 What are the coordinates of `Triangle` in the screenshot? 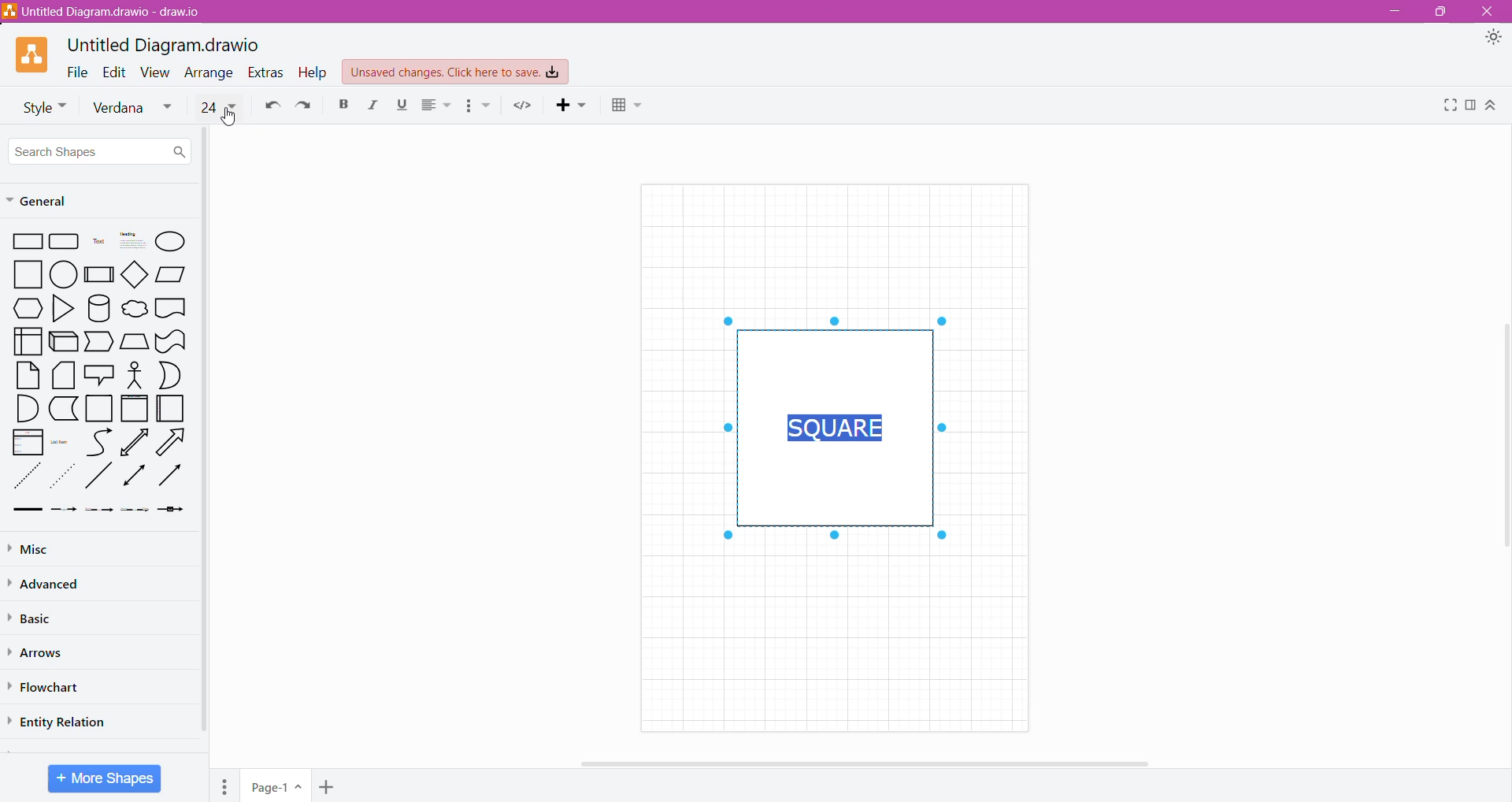 It's located at (63, 307).